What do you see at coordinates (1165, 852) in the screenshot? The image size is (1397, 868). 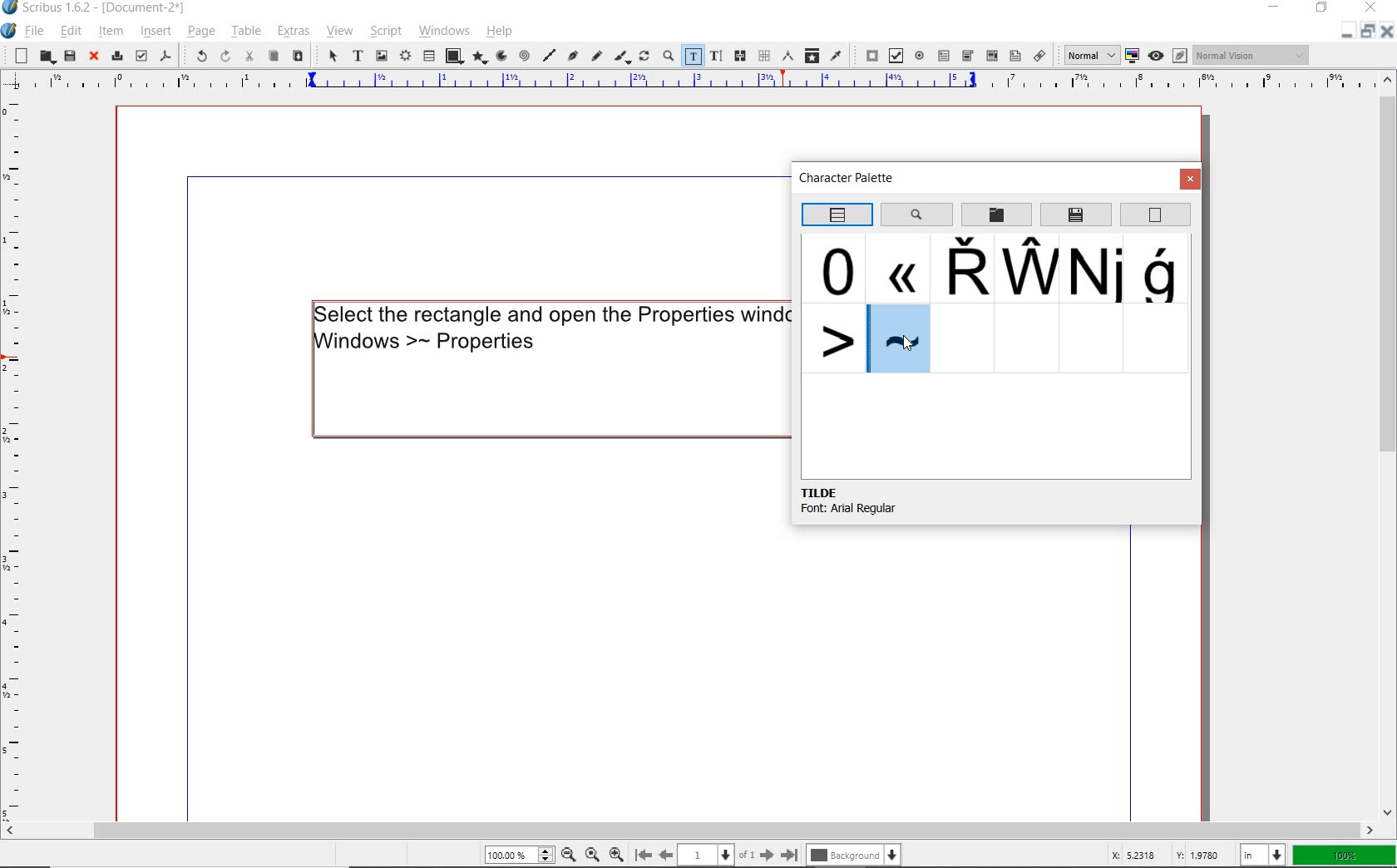 I see `X 22675 Y: 18314` at bounding box center [1165, 852].